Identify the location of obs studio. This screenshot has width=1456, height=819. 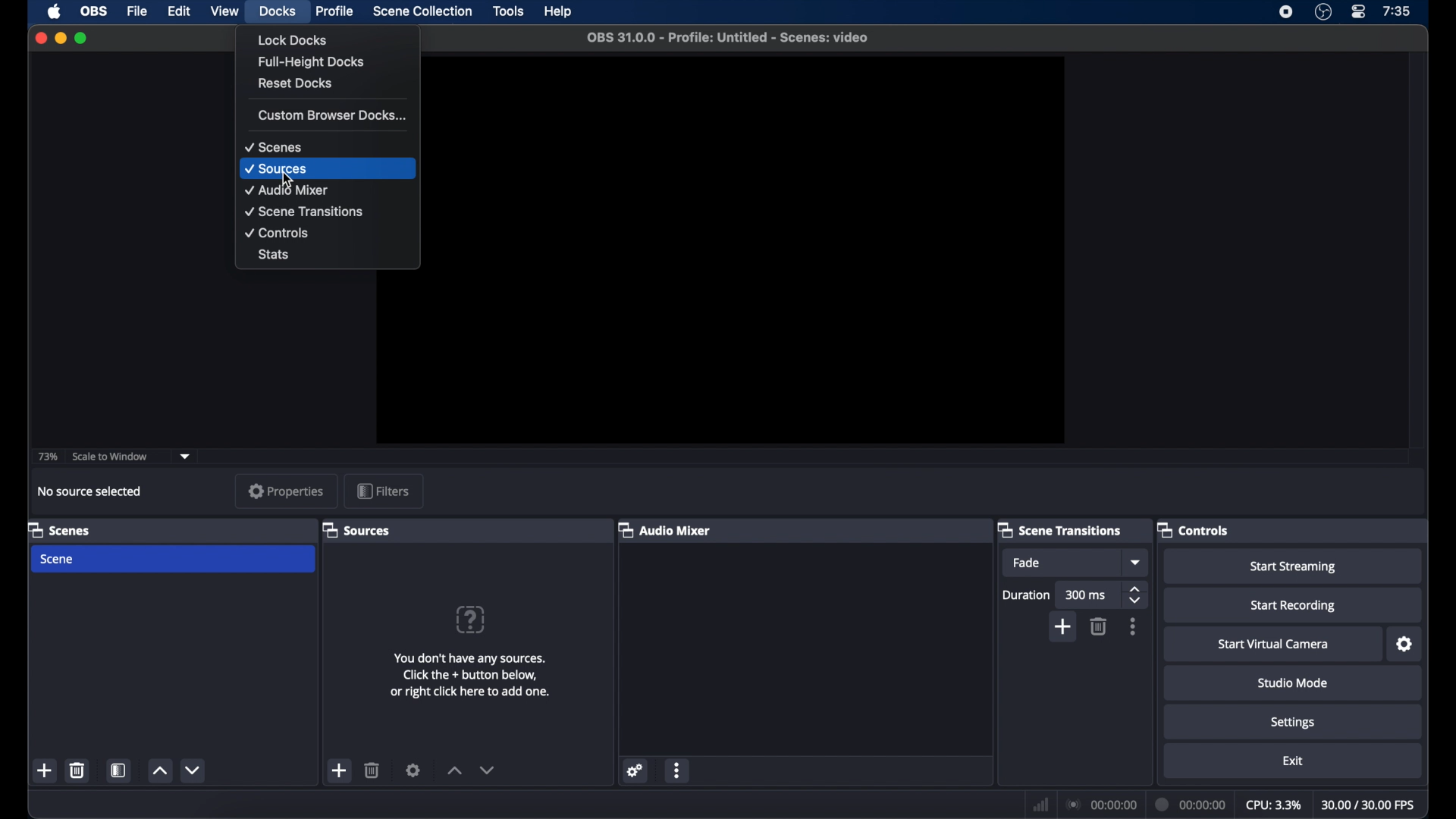
(1323, 12).